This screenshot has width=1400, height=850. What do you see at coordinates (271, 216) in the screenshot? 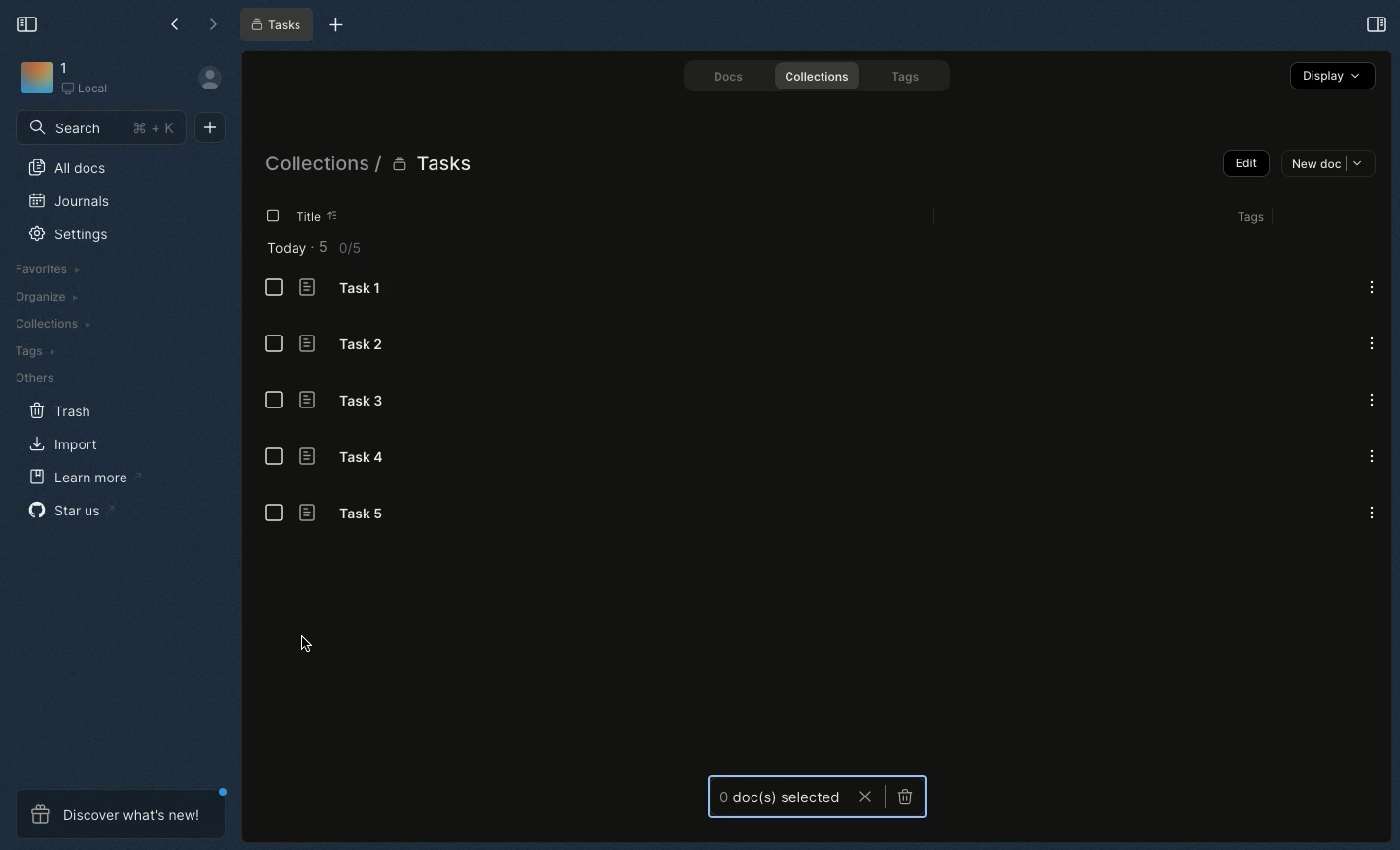
I see `List view opened` at bounding box center [271, 216].